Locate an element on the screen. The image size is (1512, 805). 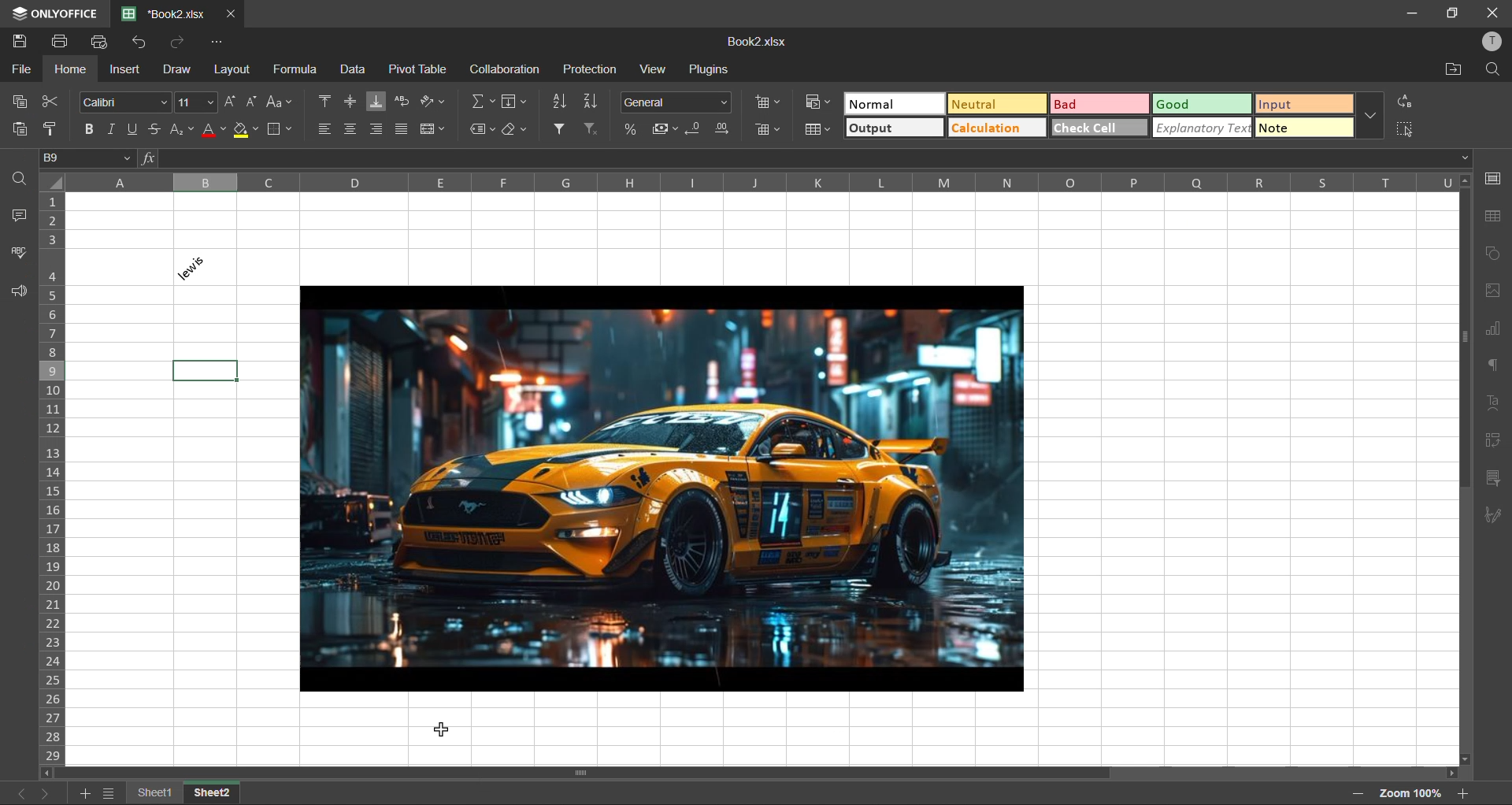
merge and center is located at coordinates (434, 129).